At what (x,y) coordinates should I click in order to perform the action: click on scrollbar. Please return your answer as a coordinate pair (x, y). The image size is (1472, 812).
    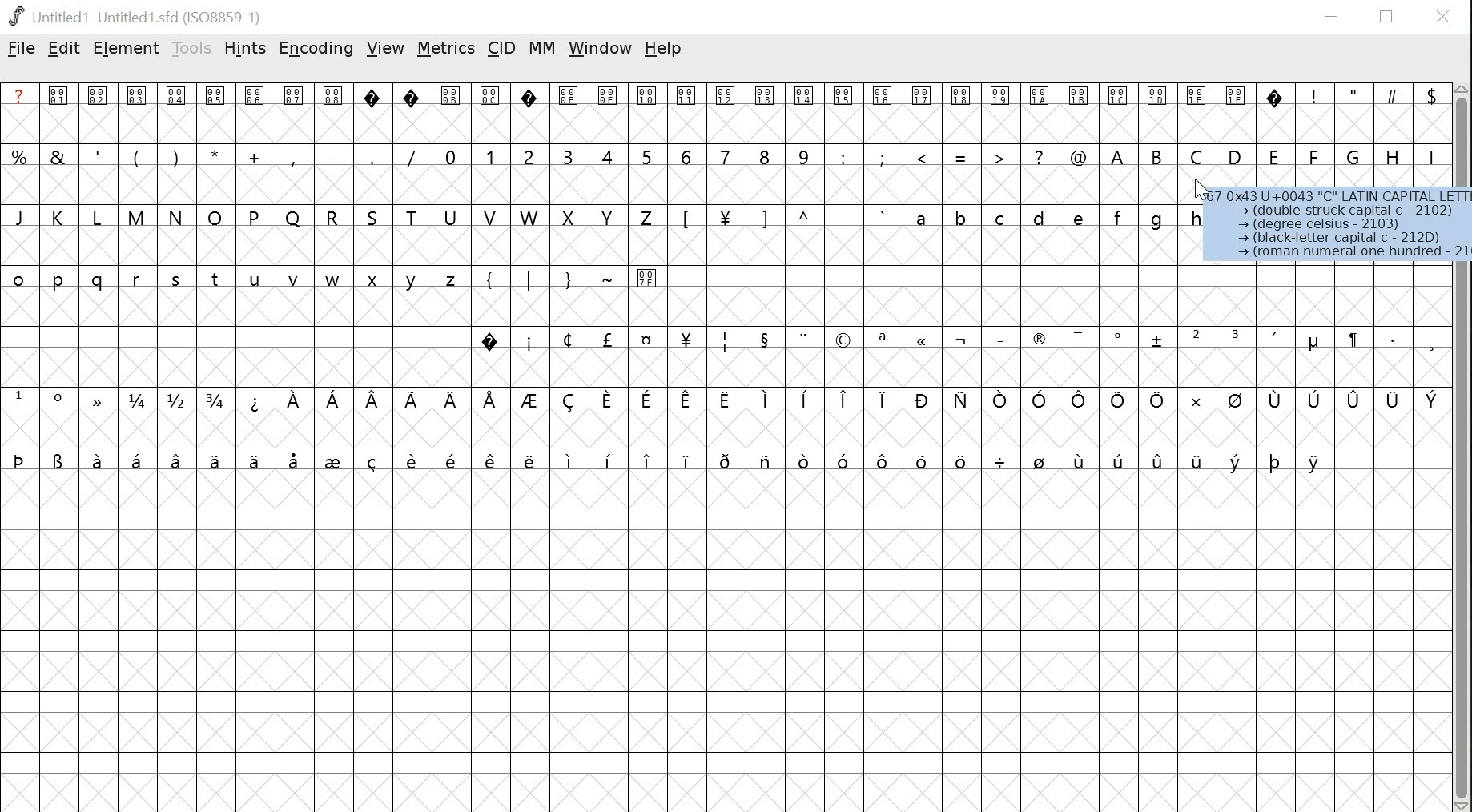
    Looking at the image, I should click on (1463, 448).